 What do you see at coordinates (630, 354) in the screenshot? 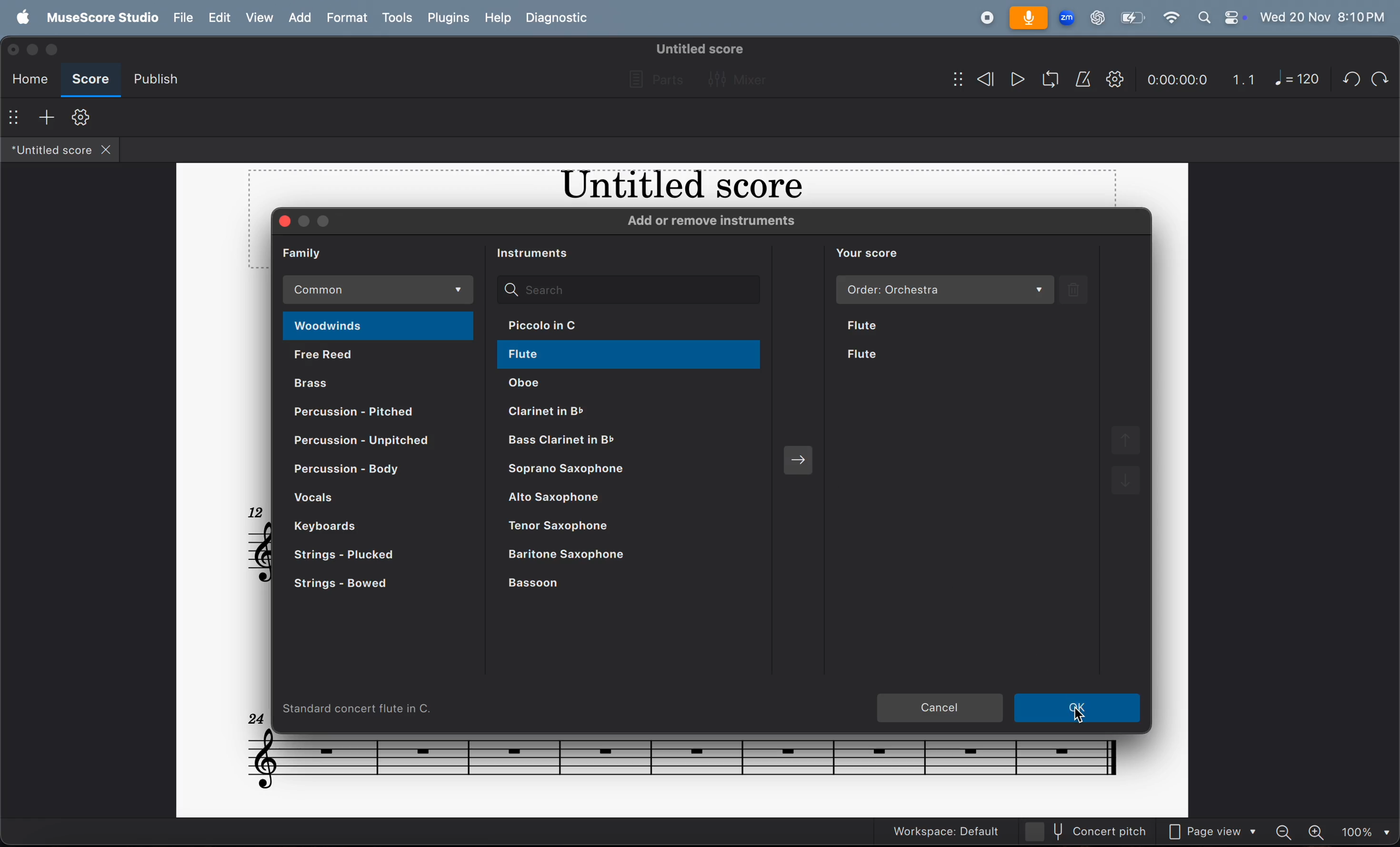
I see `flute` at bounding box center [630, 354].